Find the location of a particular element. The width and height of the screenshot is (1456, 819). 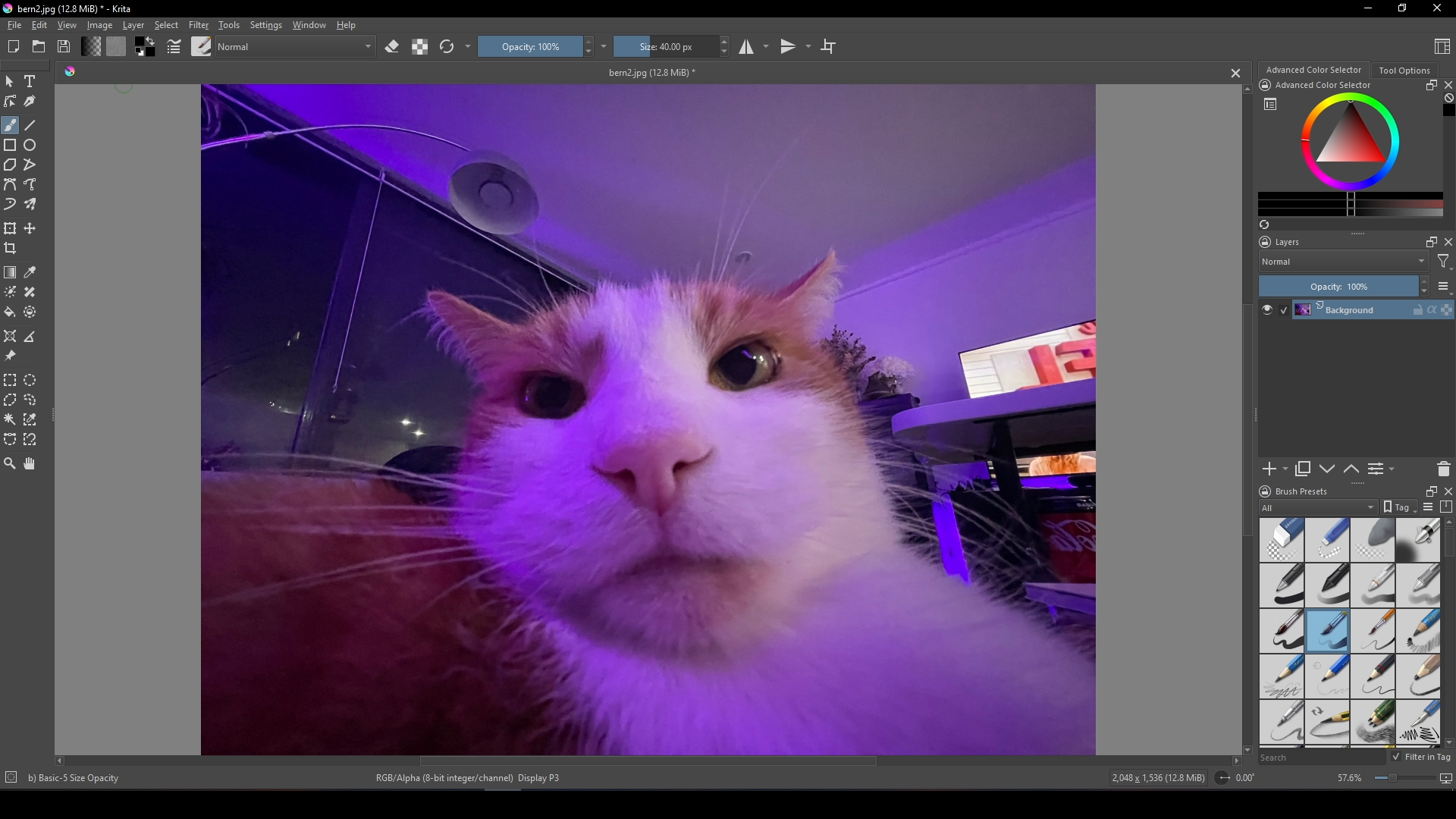

Measure distance between two points is located at coordinates (29, 337).